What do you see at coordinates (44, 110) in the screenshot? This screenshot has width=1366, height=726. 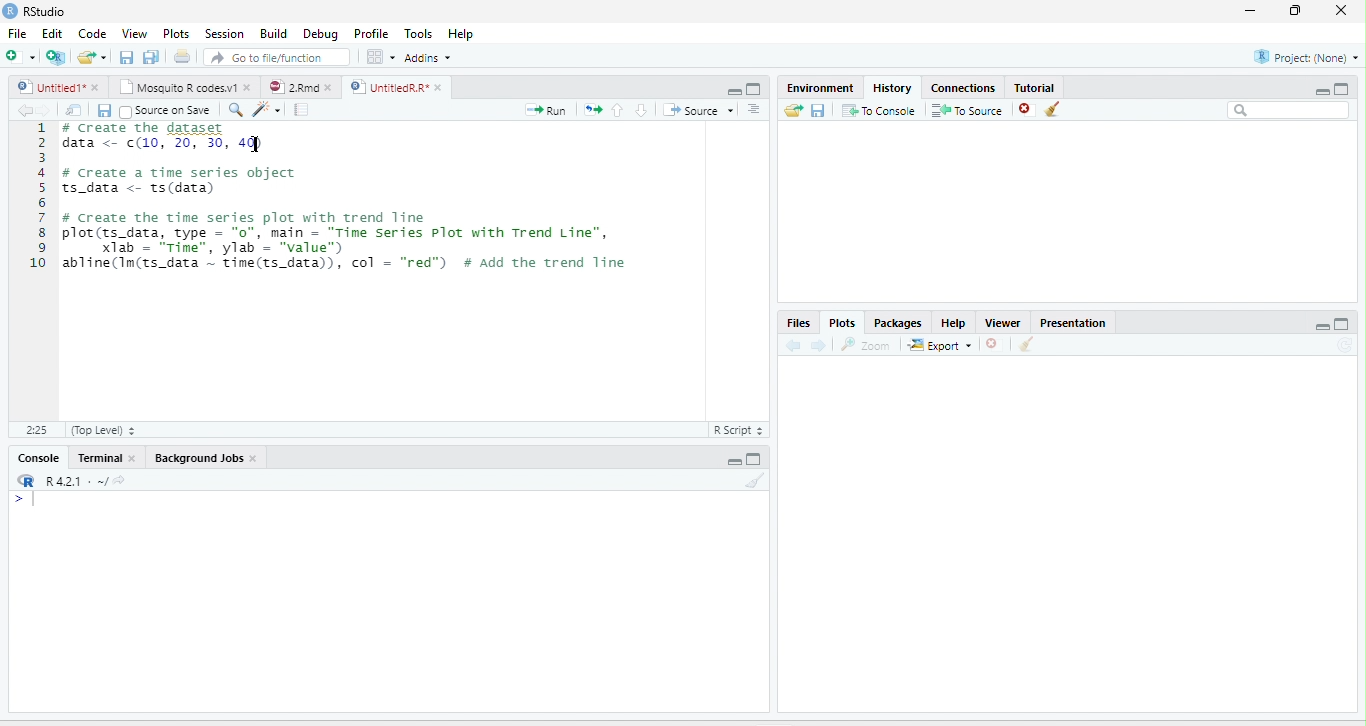 I see `Go forward to next source location` at bounding box center [44, 110].